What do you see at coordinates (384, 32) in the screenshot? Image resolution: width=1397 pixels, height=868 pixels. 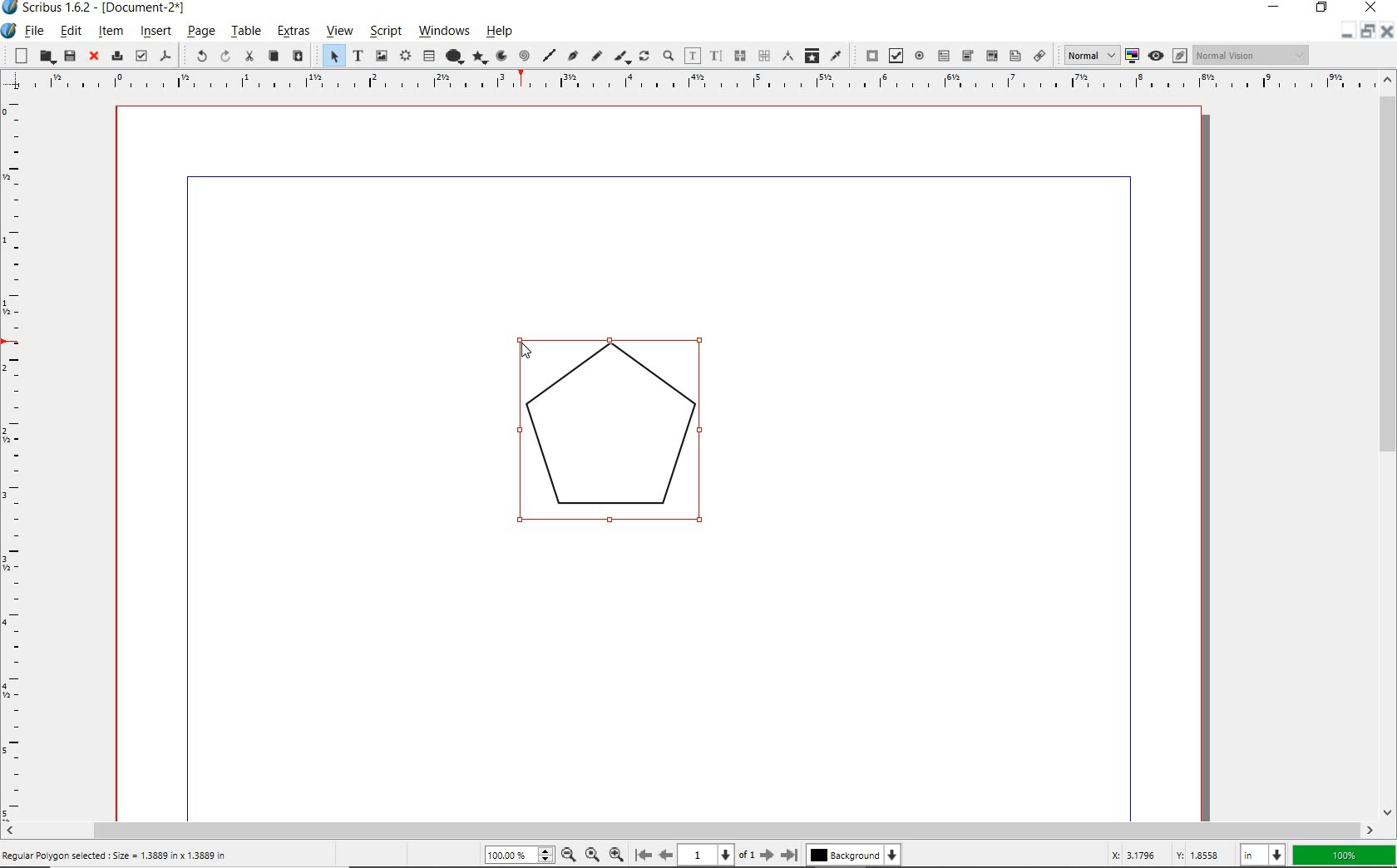 I see `script` at bounding box center [384, 32].